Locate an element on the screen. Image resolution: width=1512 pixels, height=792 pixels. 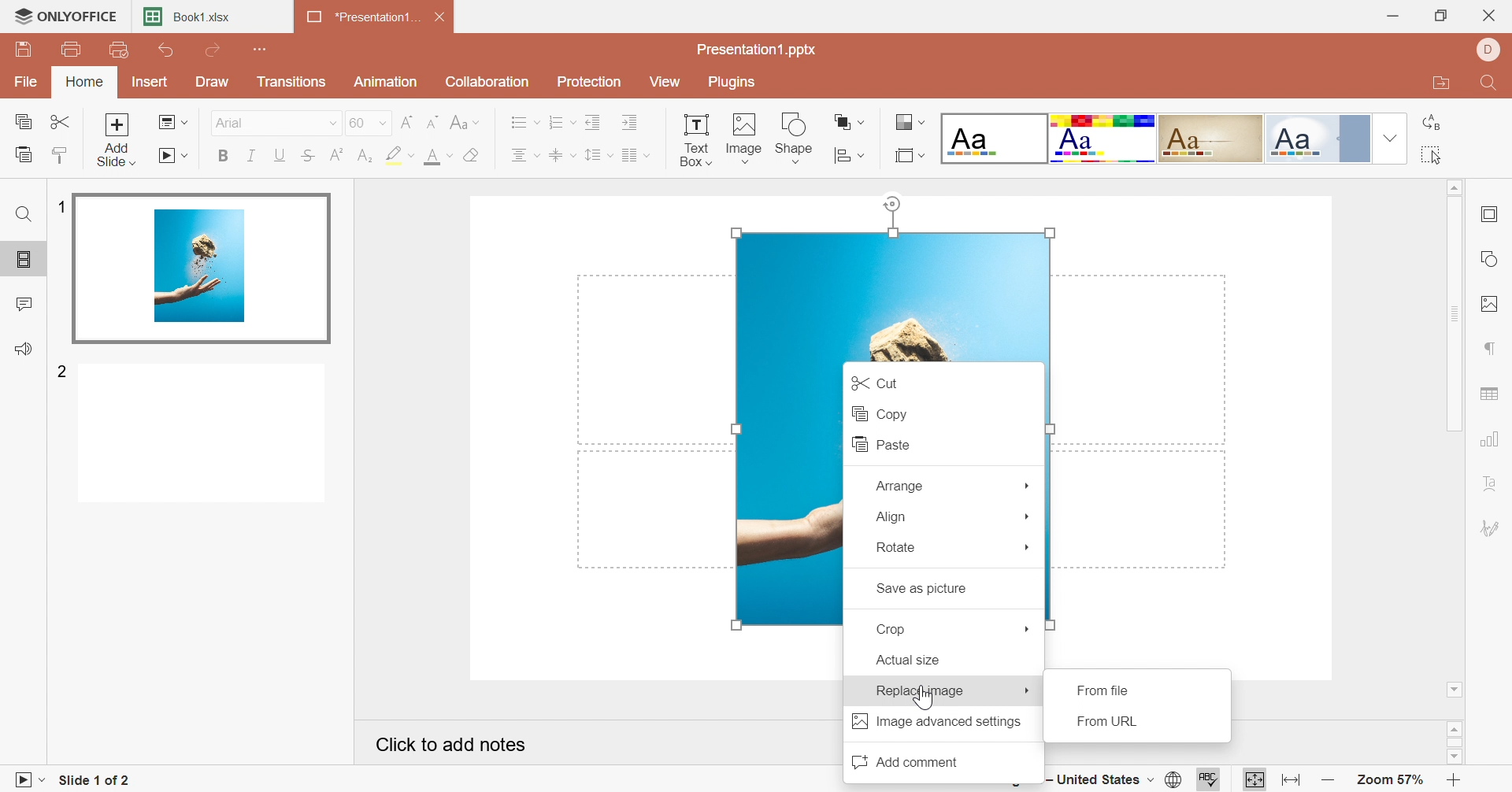
Font is located at coordinates (231, 121).